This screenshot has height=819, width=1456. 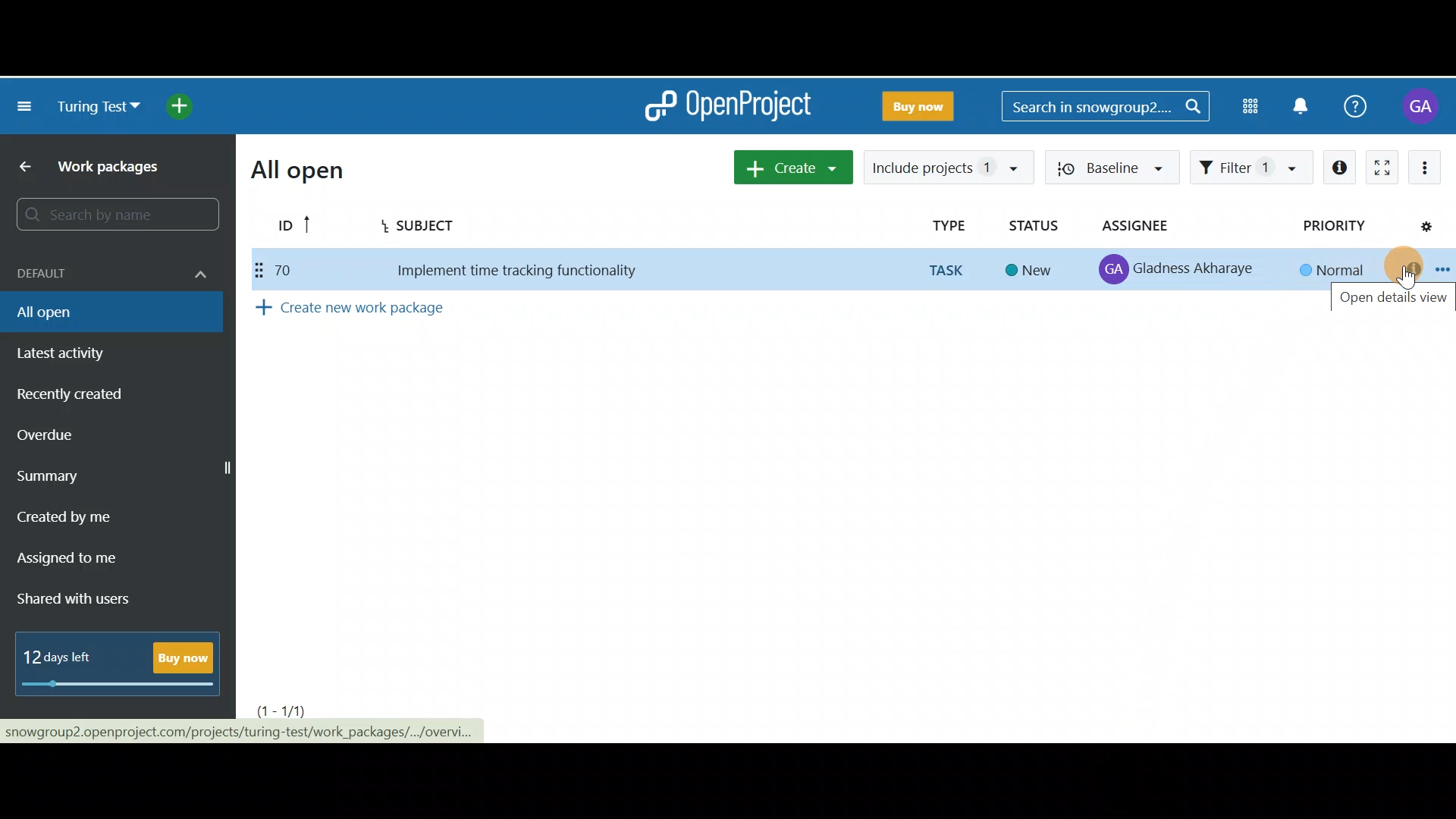 What do you see at coordinates (1433, 170) in the screenshot?
I see `More actions` at bounding box center [1433, 170].